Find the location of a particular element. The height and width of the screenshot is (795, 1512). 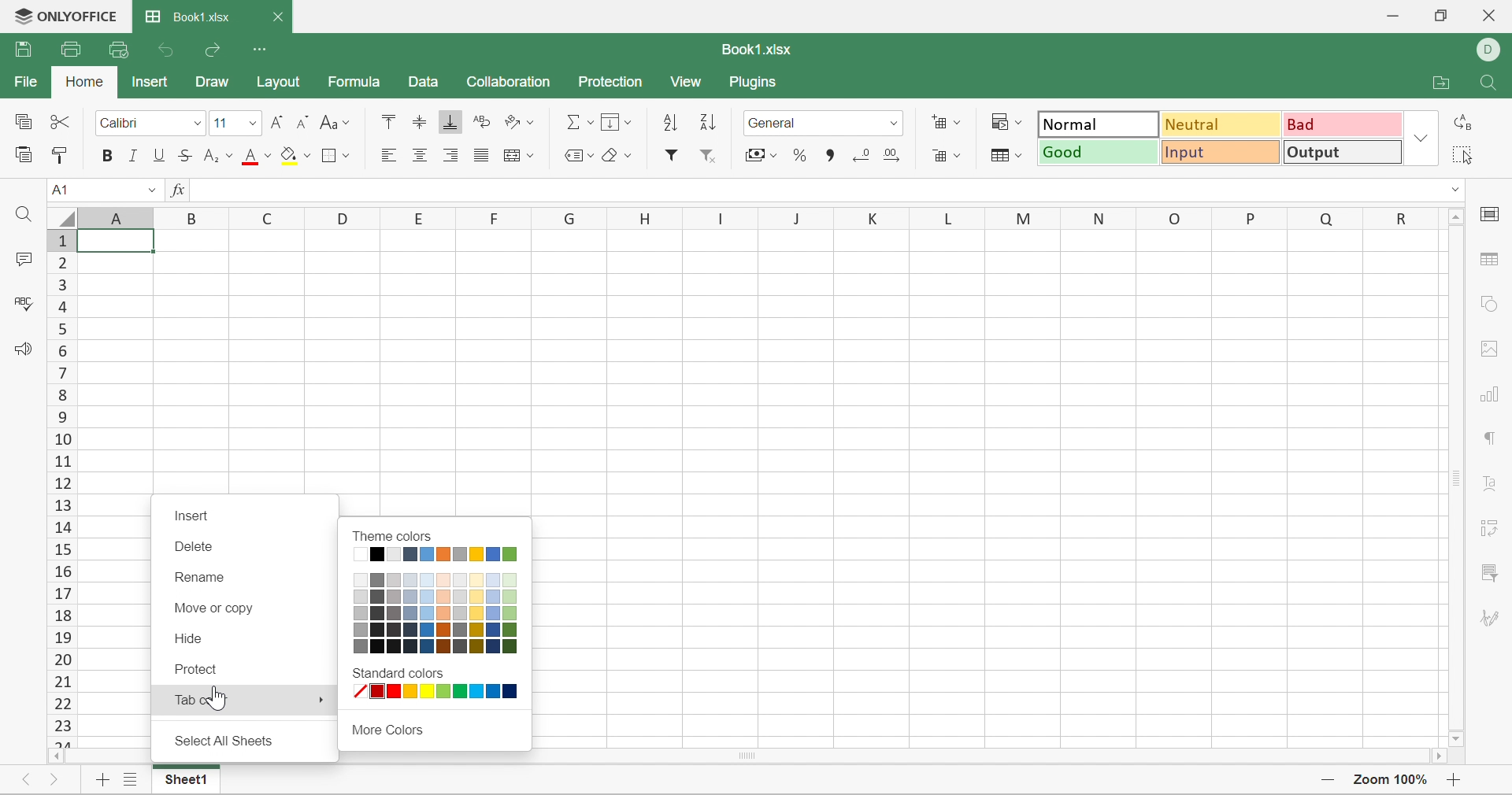

Conditional formatting is located at coordinates (1006, 122).